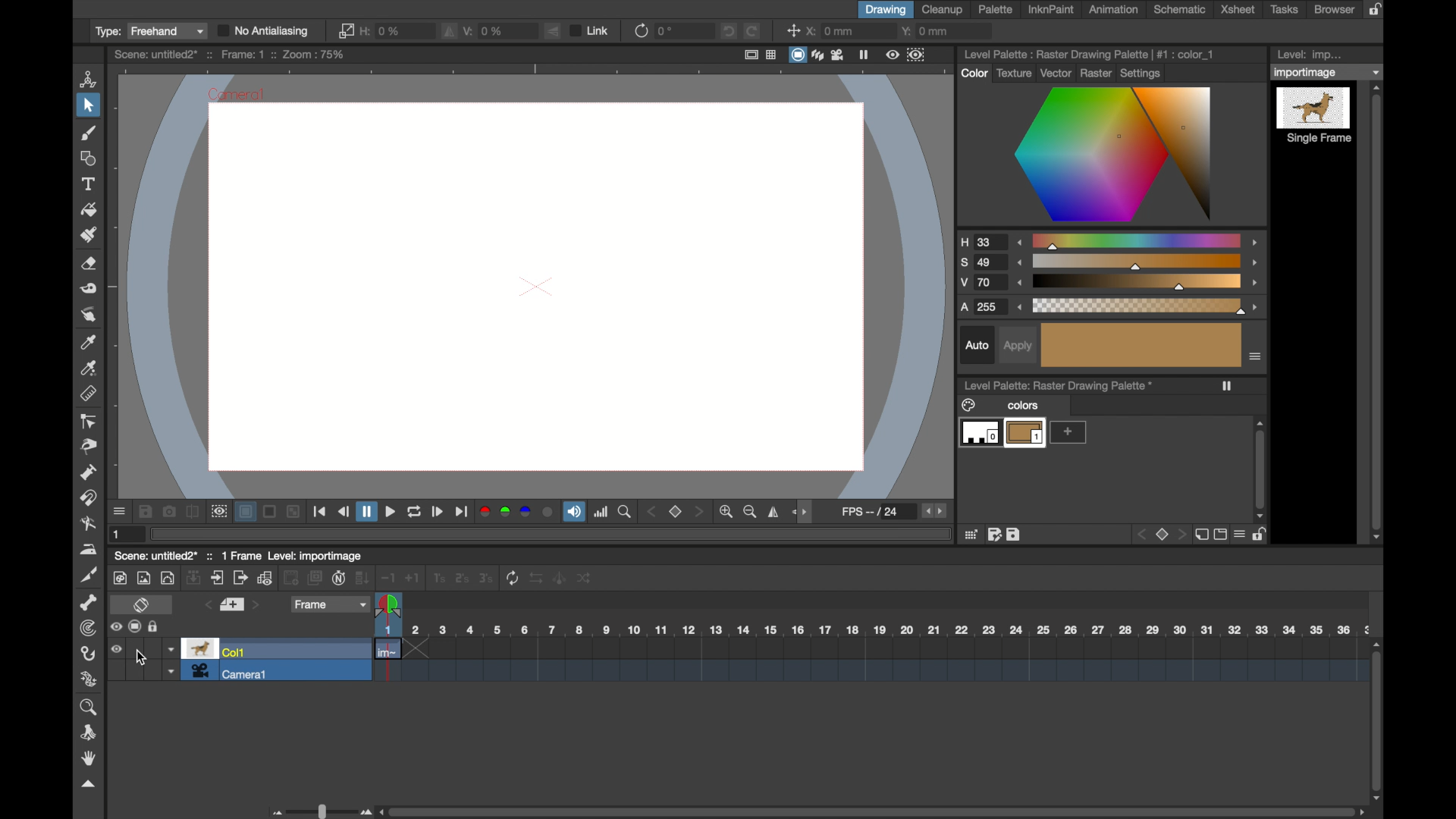 Image resolution: width=1456 pixels, height=819 pixels. What do you see at coordinates (415, 513) in the screenshot?
I see `refresh` at bounding box center [415, 513].